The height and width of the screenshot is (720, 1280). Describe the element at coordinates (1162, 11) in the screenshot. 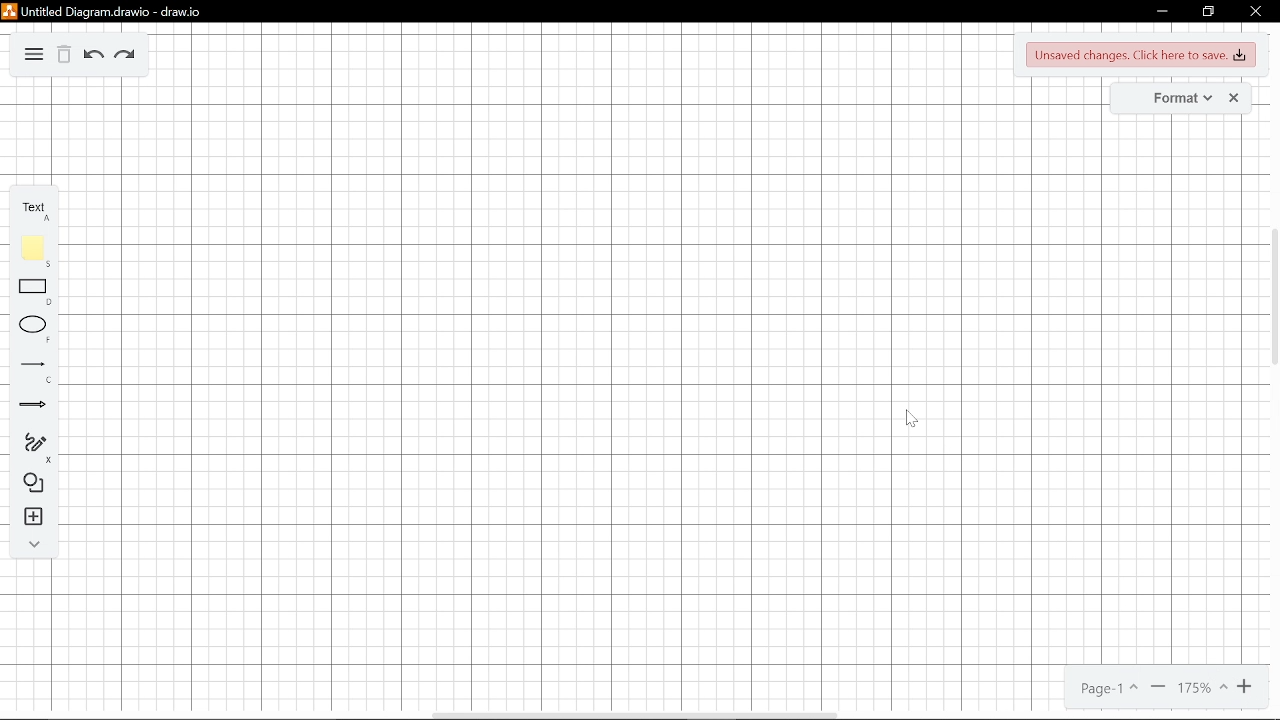

I see `minimize` at that location.